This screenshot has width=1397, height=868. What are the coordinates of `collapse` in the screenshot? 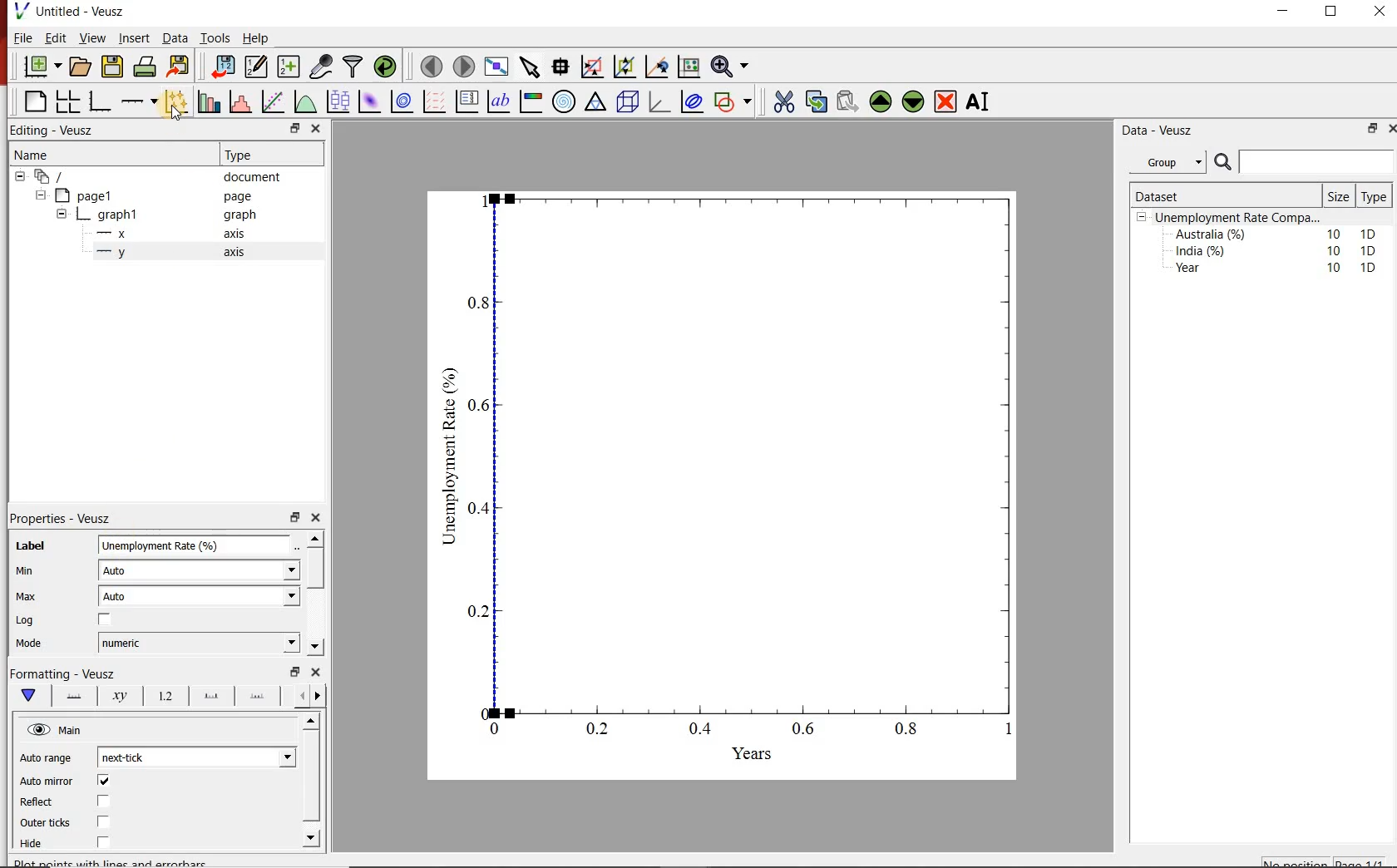 It's located at (40, 195).